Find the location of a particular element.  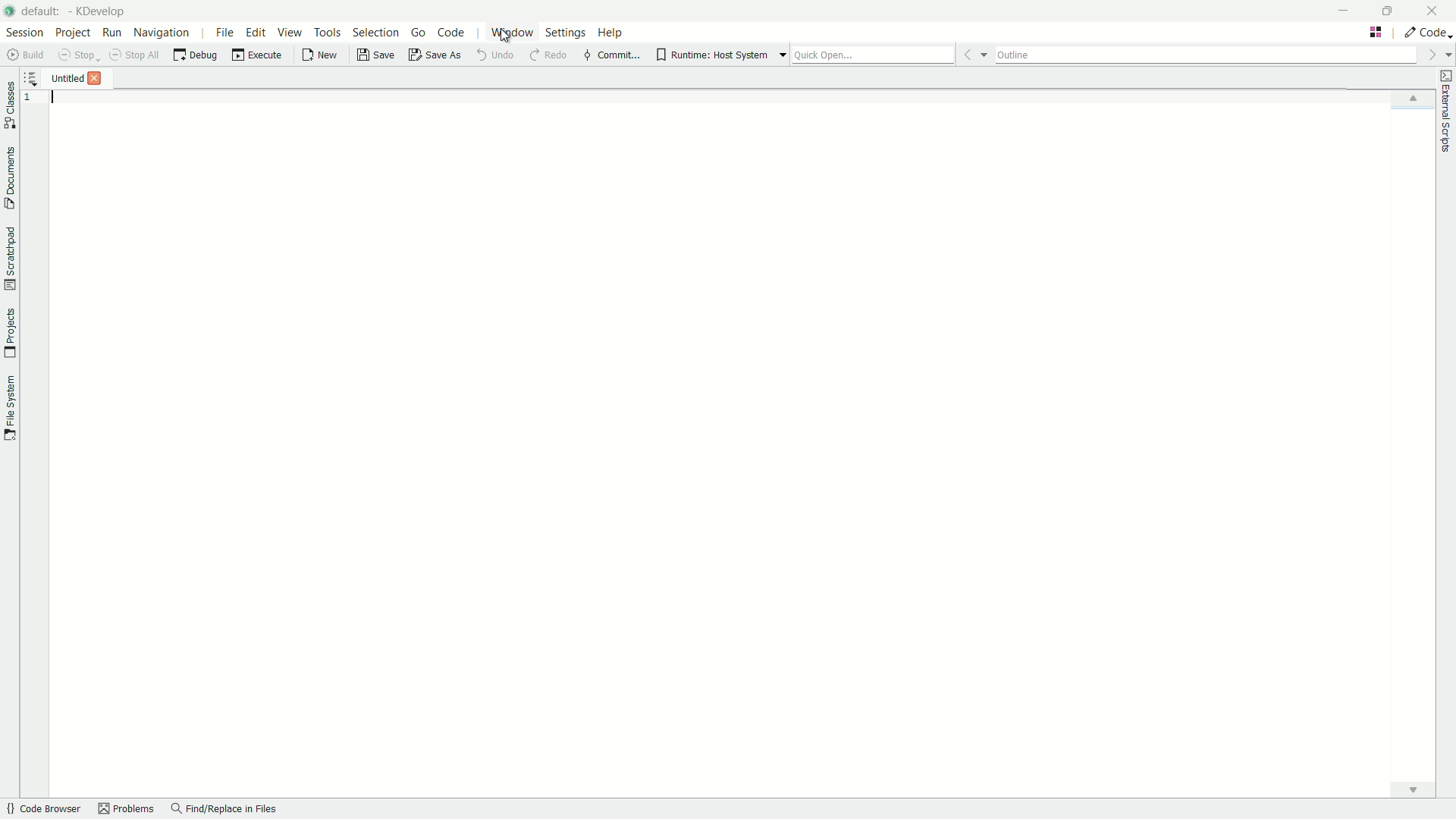

run menu is located at coordinates (112, 33).